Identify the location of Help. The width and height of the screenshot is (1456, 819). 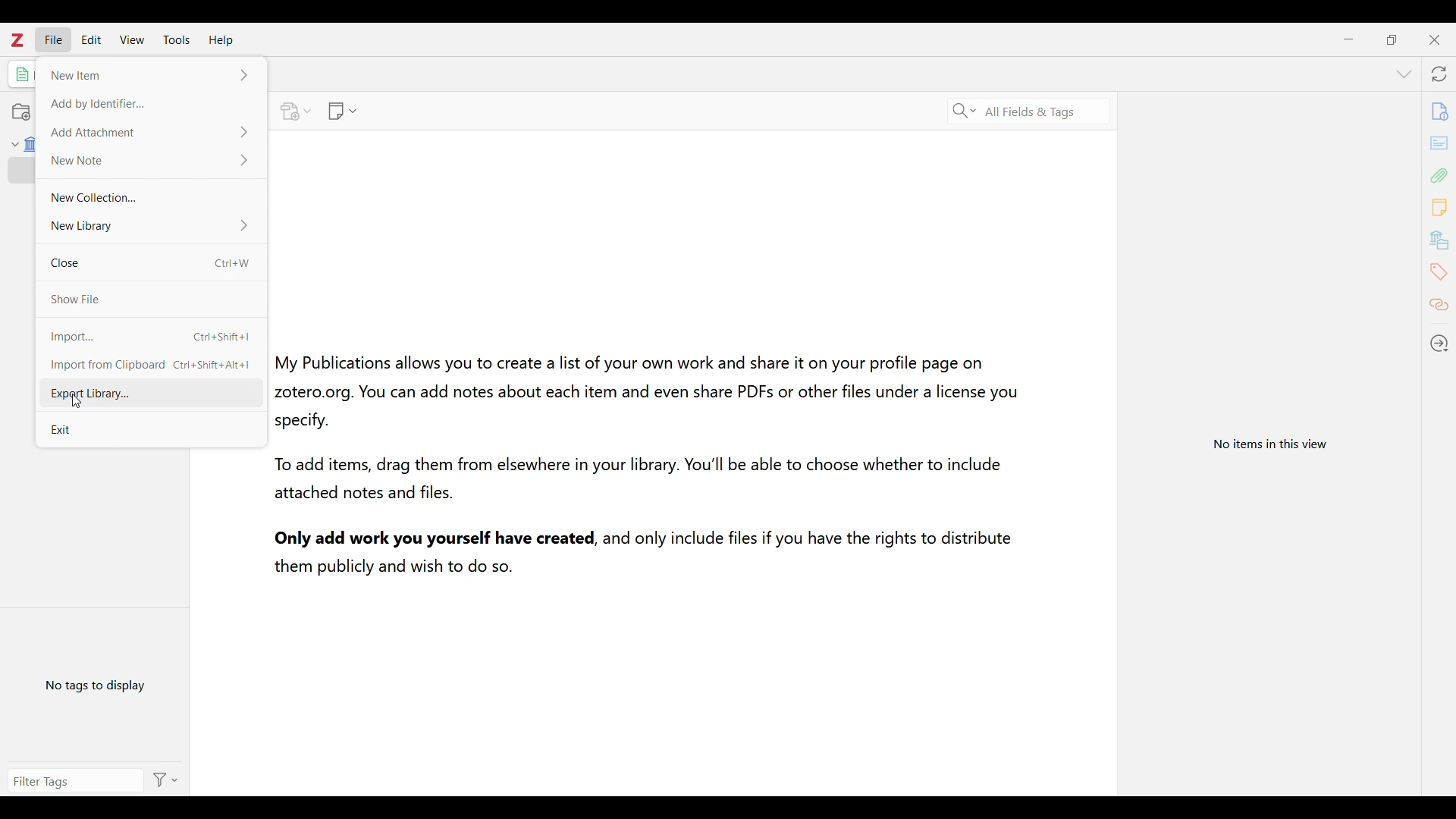
(221, 41).